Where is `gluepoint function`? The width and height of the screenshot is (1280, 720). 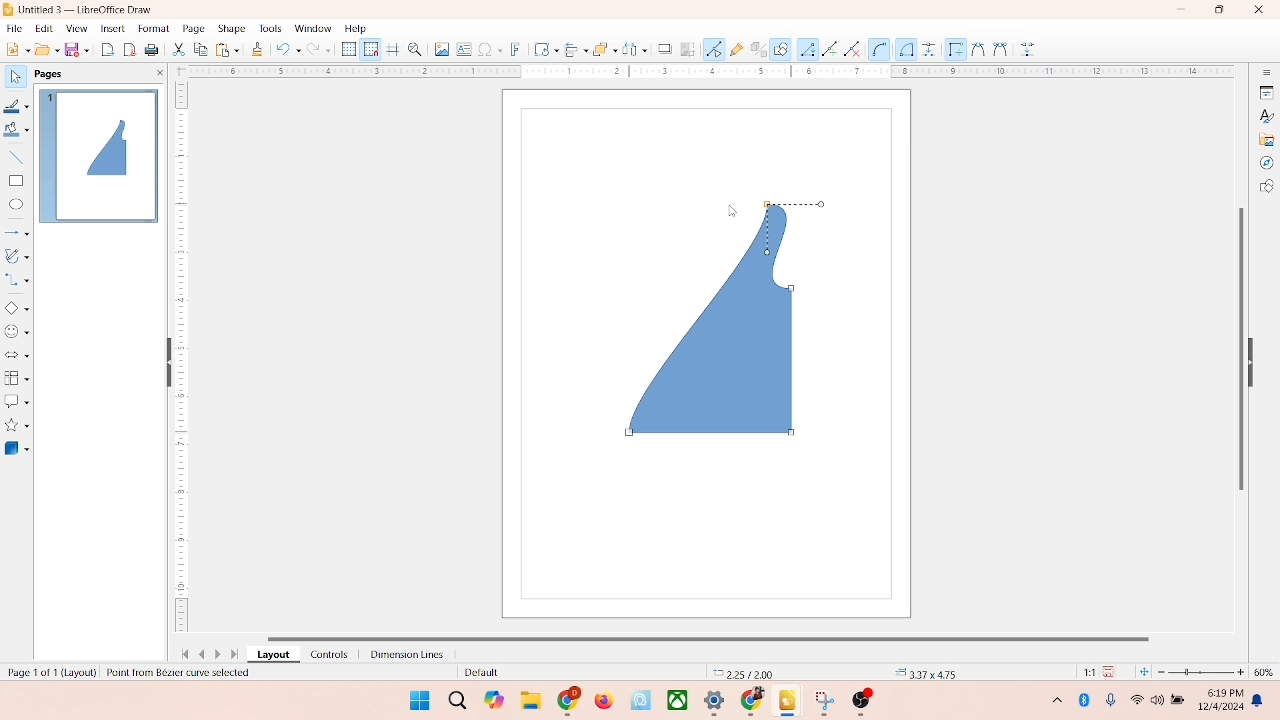
gluepoint function is located at coordinates (735, 50).